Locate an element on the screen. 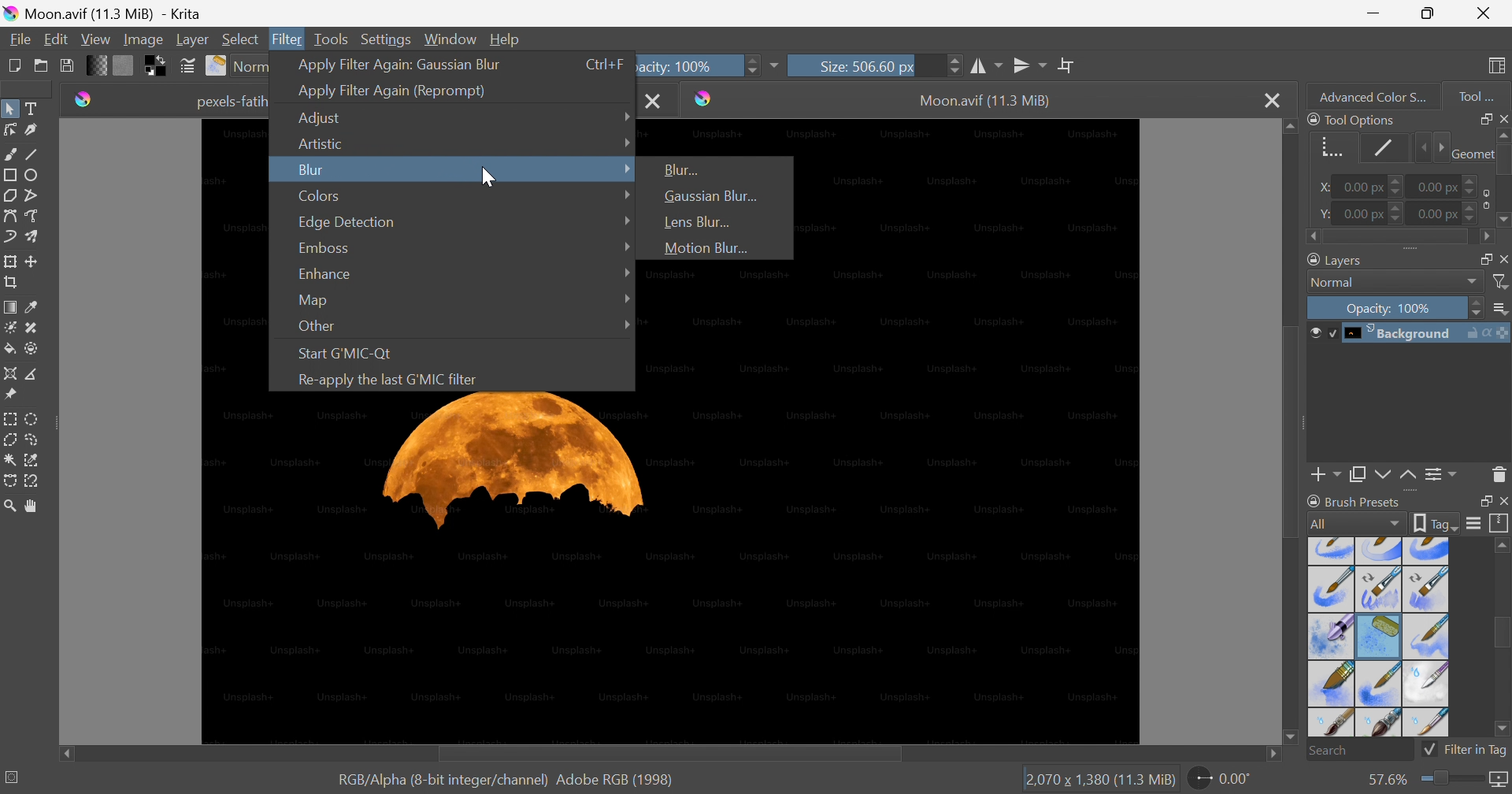 The image size is (1512, 794). Similar color selection tool is located at coordinates (32, 461).